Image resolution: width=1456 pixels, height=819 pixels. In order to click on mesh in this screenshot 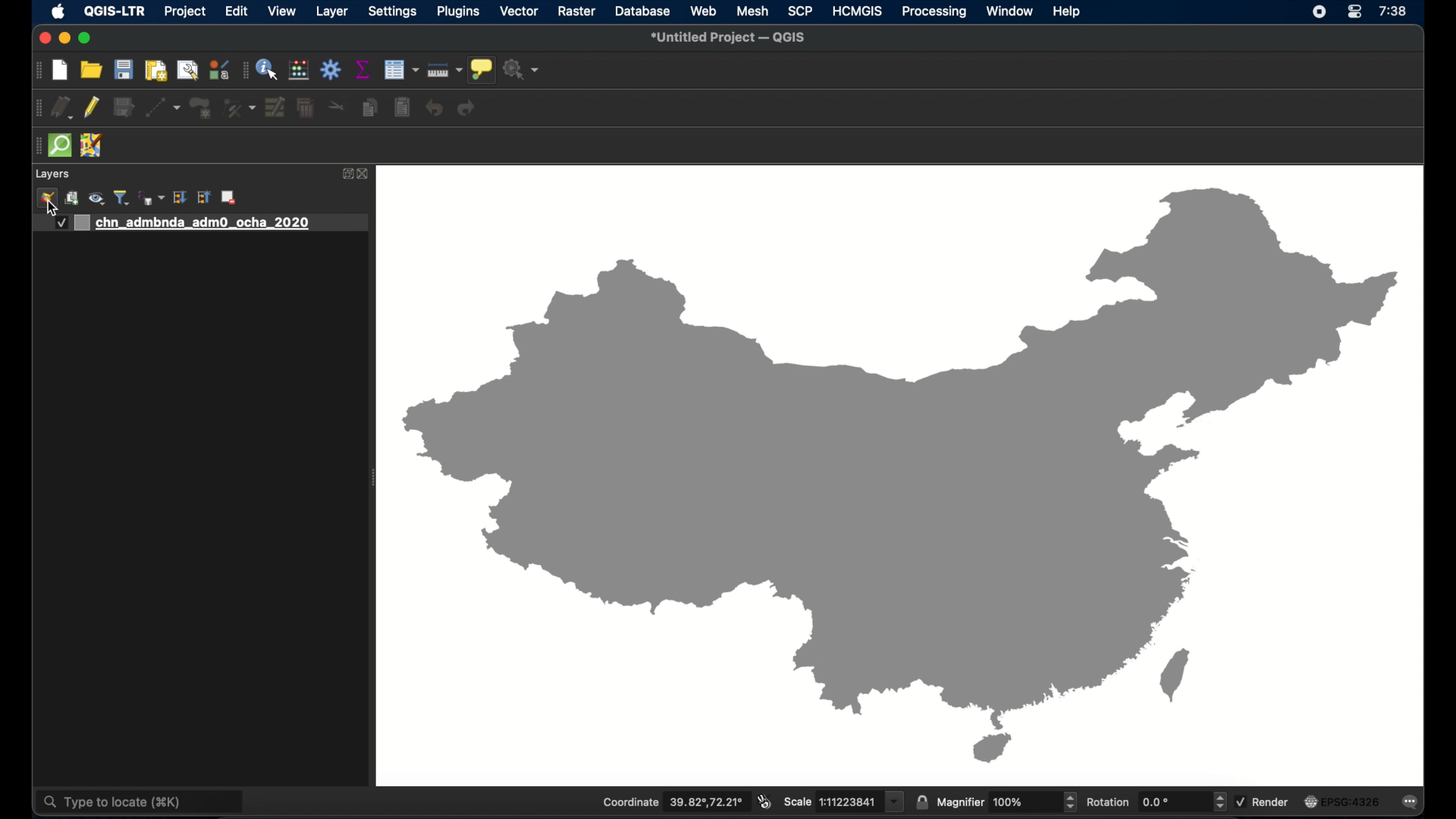, I will do `click(752, 11)`.